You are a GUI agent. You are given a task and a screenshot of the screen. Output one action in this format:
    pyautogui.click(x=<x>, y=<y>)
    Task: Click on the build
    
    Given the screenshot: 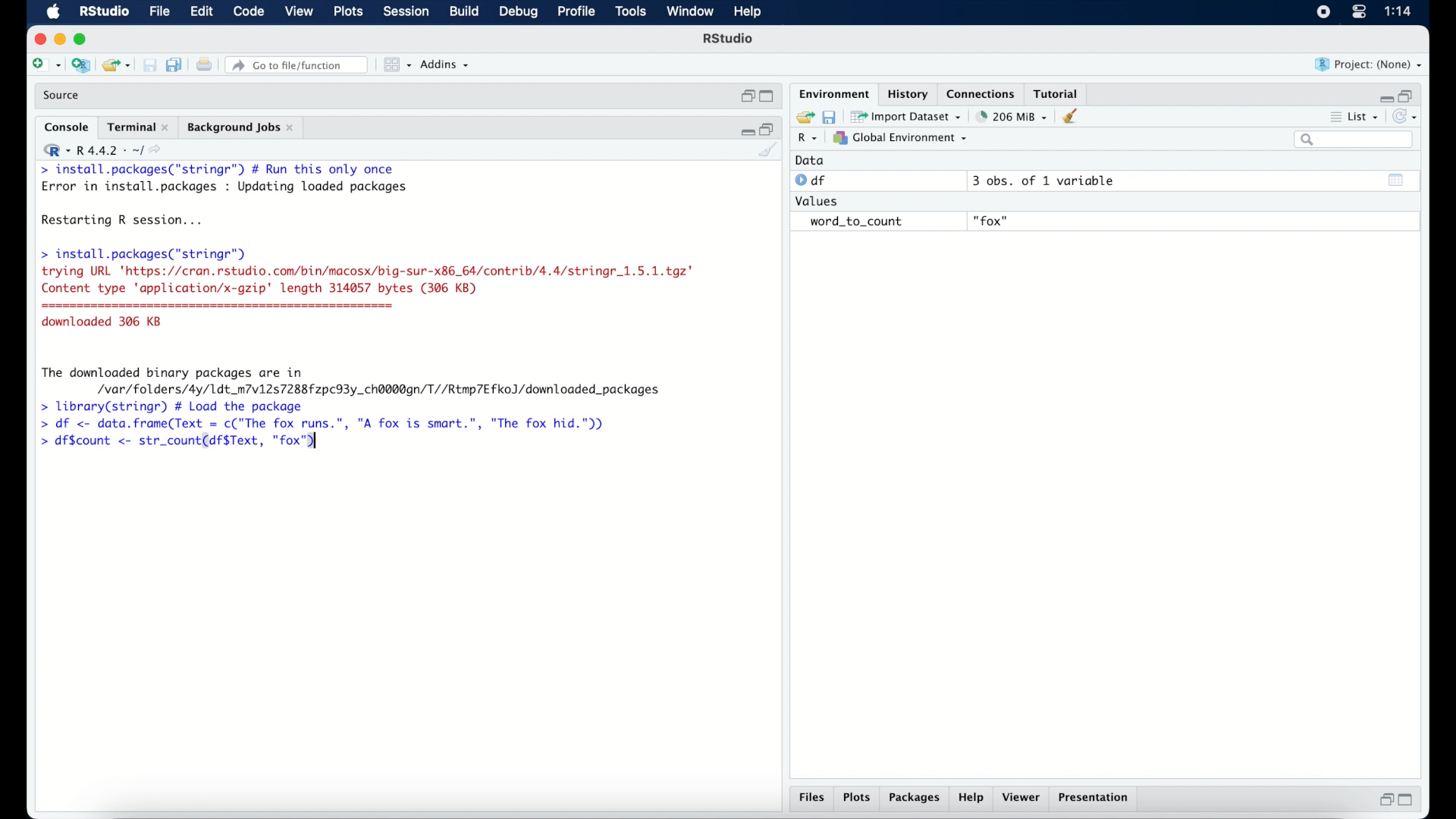 What is the action you would take?
    pyautogui.click(x=463, y=11)
    